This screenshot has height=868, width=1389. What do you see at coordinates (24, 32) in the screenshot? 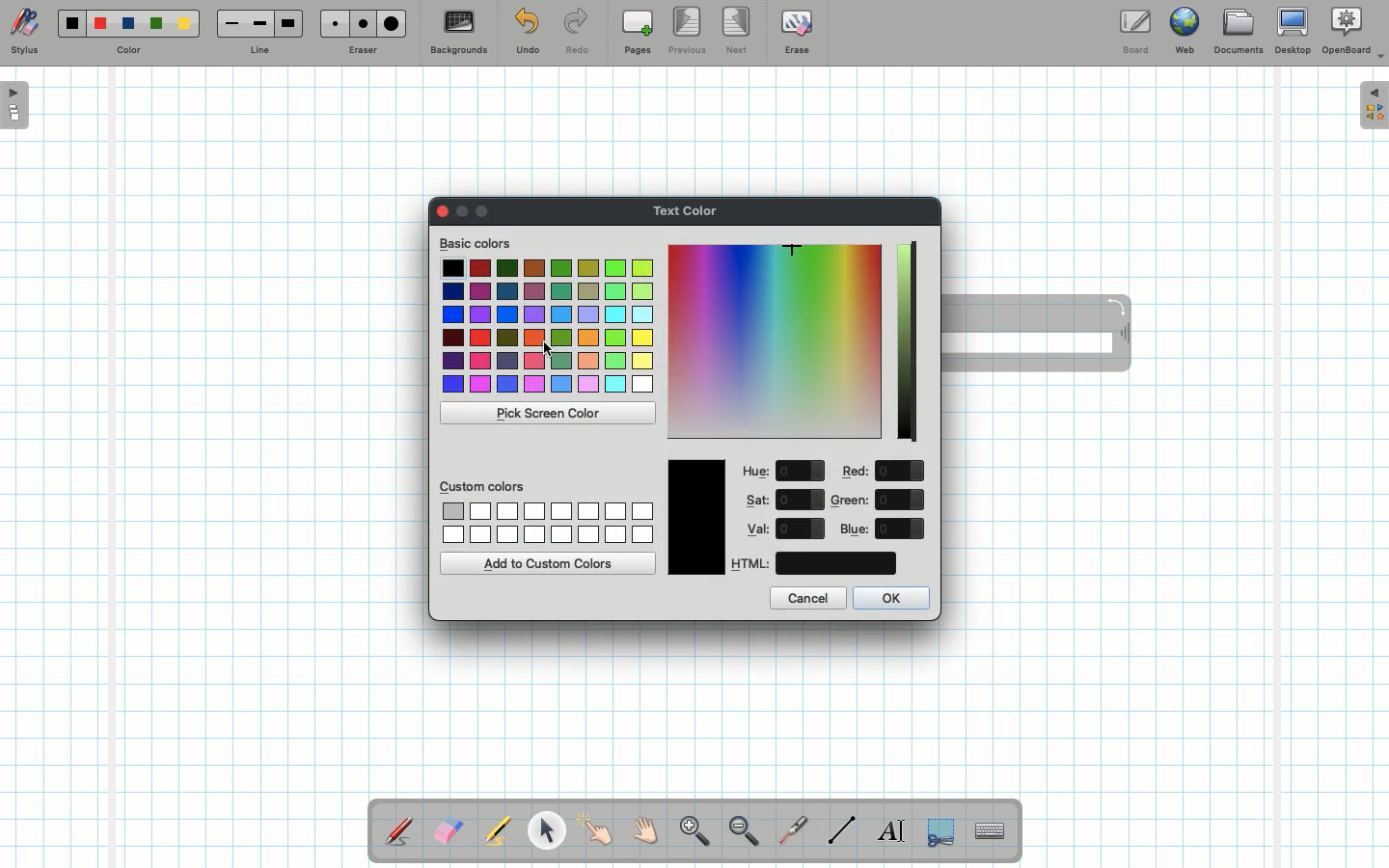
I see `Stylus` at bounding box center [24, 32].